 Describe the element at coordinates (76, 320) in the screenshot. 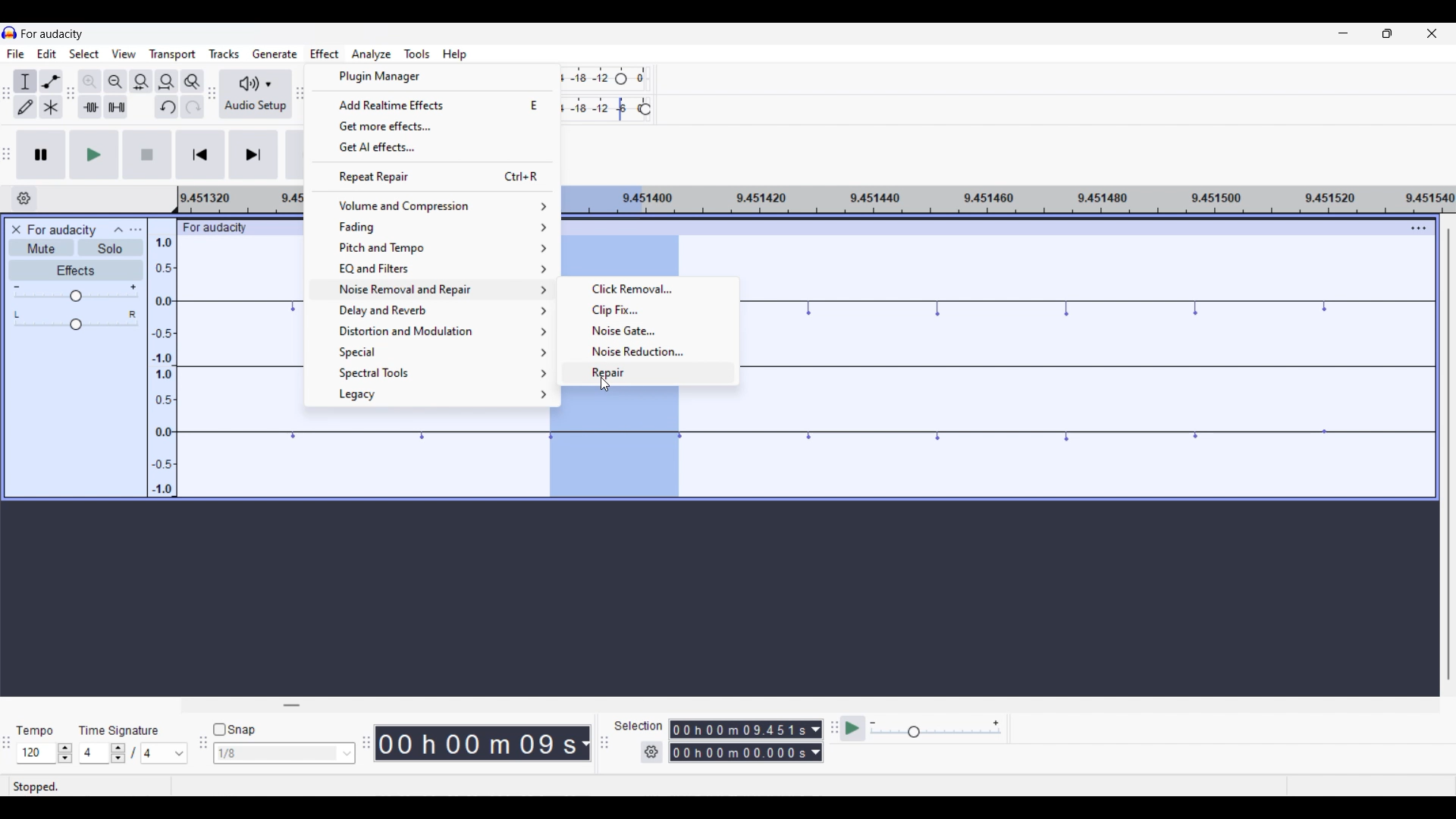

I see `Pan scale` at that location.